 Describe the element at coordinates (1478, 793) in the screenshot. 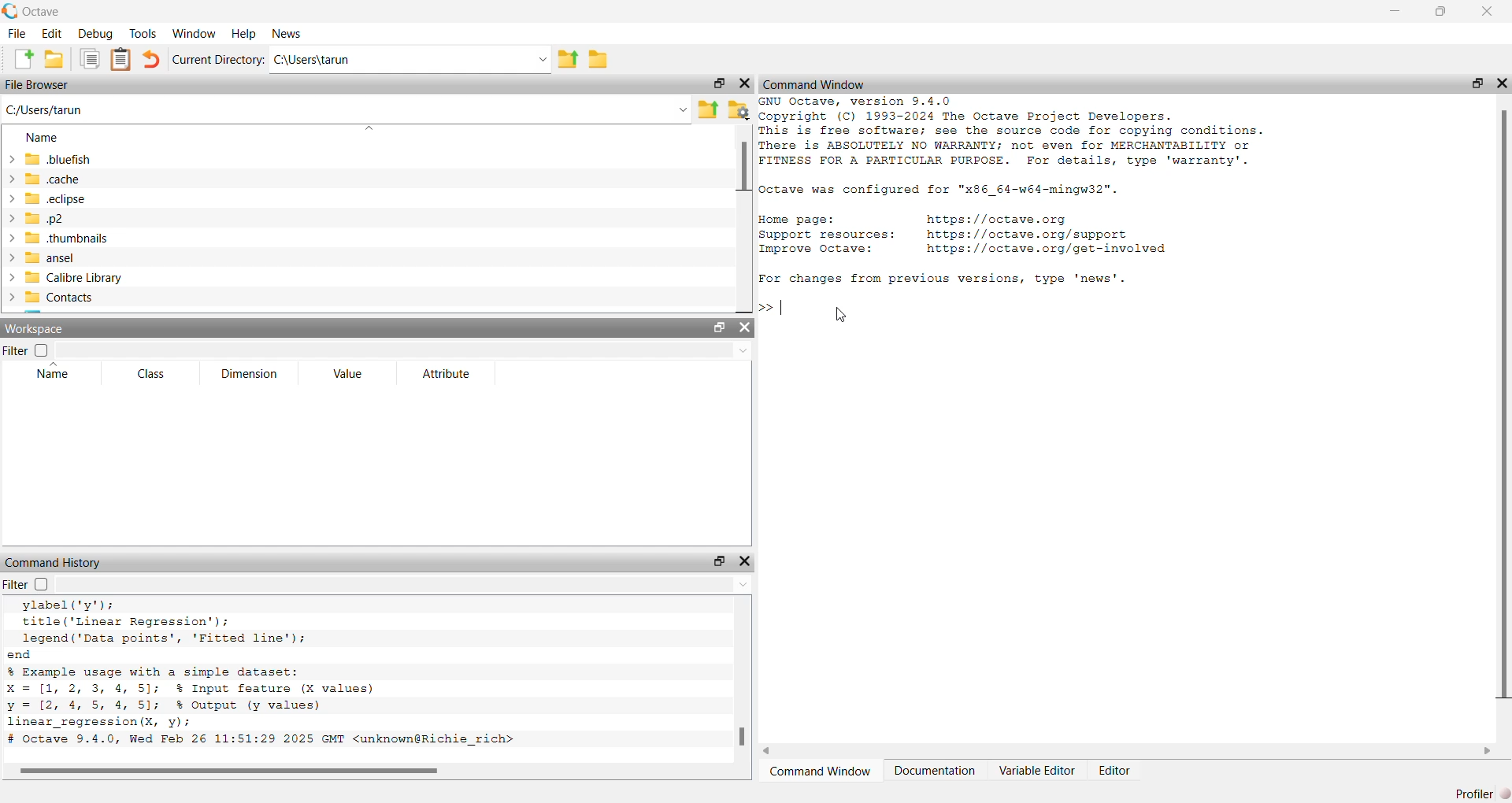

I see `profiler` at that location.